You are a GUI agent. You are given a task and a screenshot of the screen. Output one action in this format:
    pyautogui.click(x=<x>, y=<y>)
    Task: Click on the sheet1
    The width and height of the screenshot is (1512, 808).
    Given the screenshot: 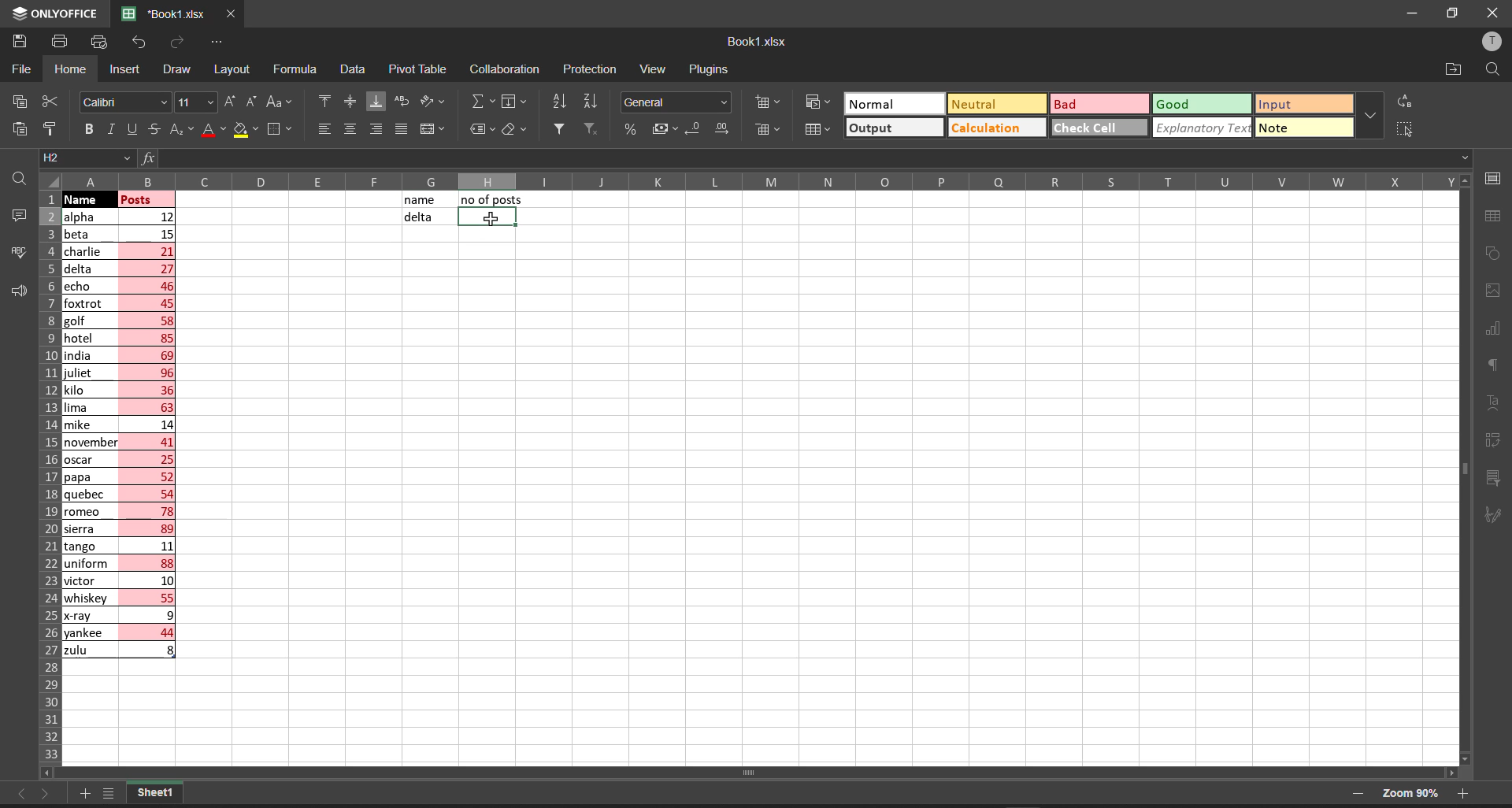 What is the action you would take?
    pyautogui.click(x=155, y=794)
    